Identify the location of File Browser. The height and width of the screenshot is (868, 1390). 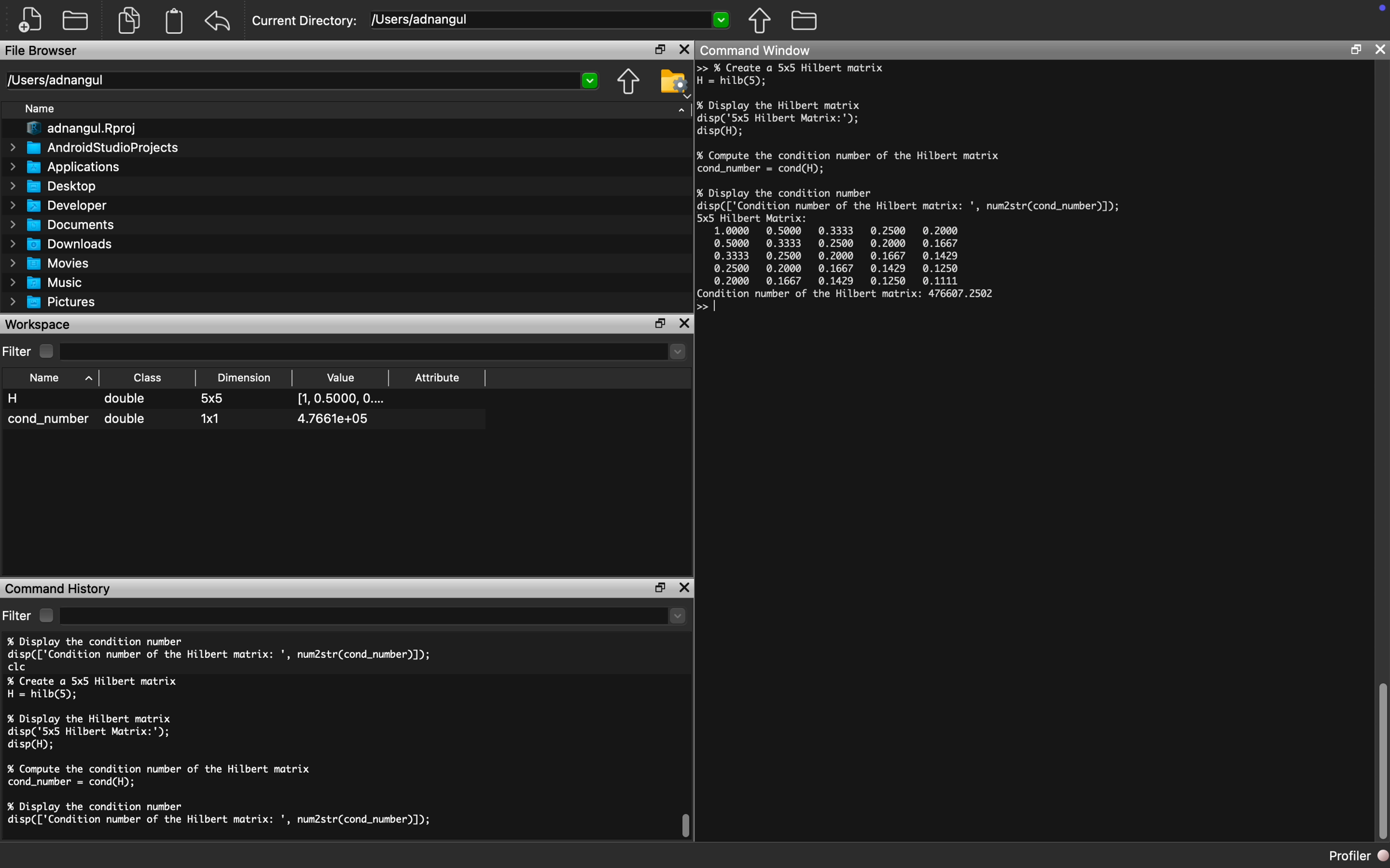
(43, 50).